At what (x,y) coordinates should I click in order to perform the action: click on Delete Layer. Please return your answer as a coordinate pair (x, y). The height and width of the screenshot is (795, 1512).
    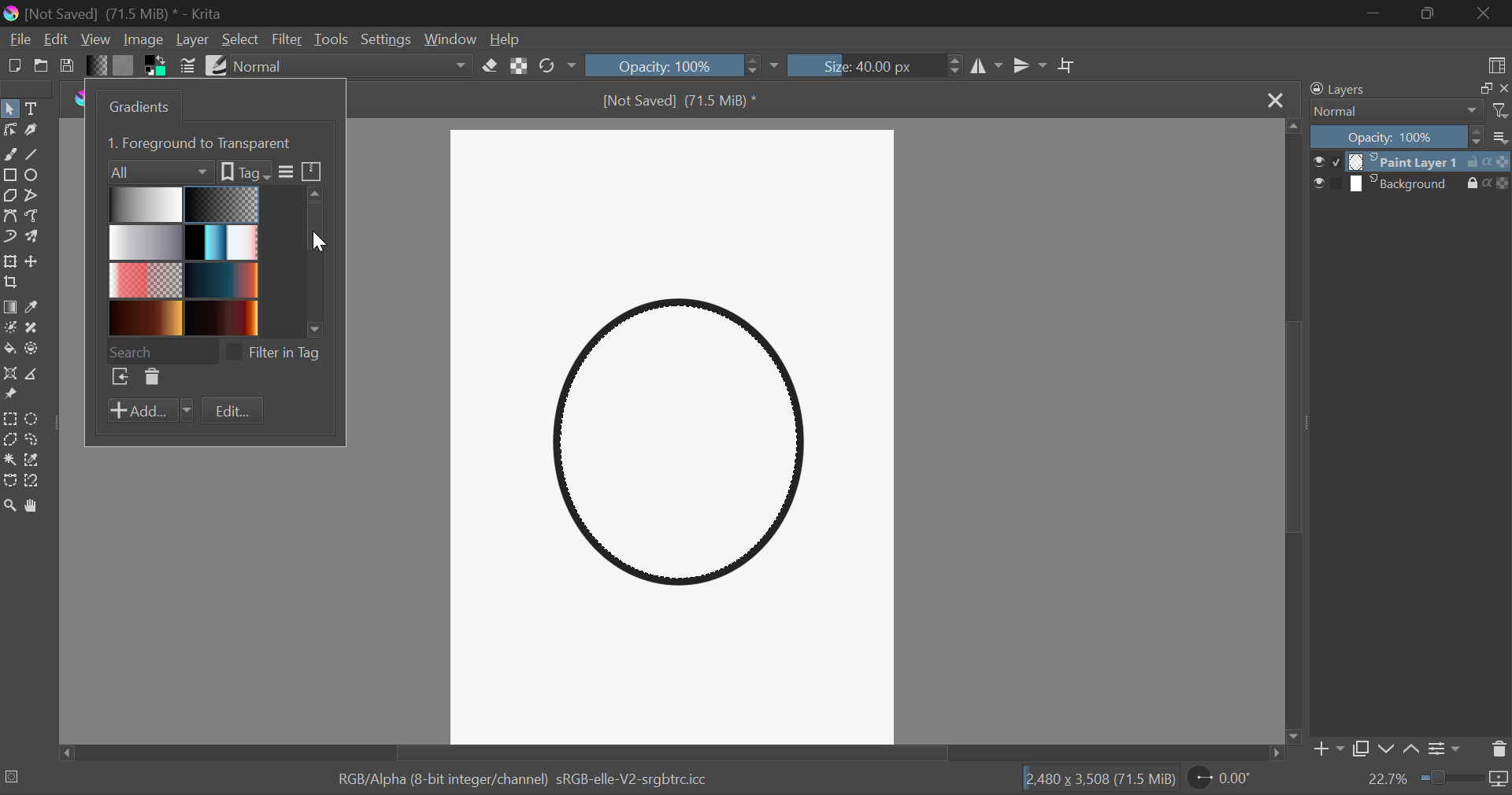
    Looking at the image, I should click on (1499, 752).